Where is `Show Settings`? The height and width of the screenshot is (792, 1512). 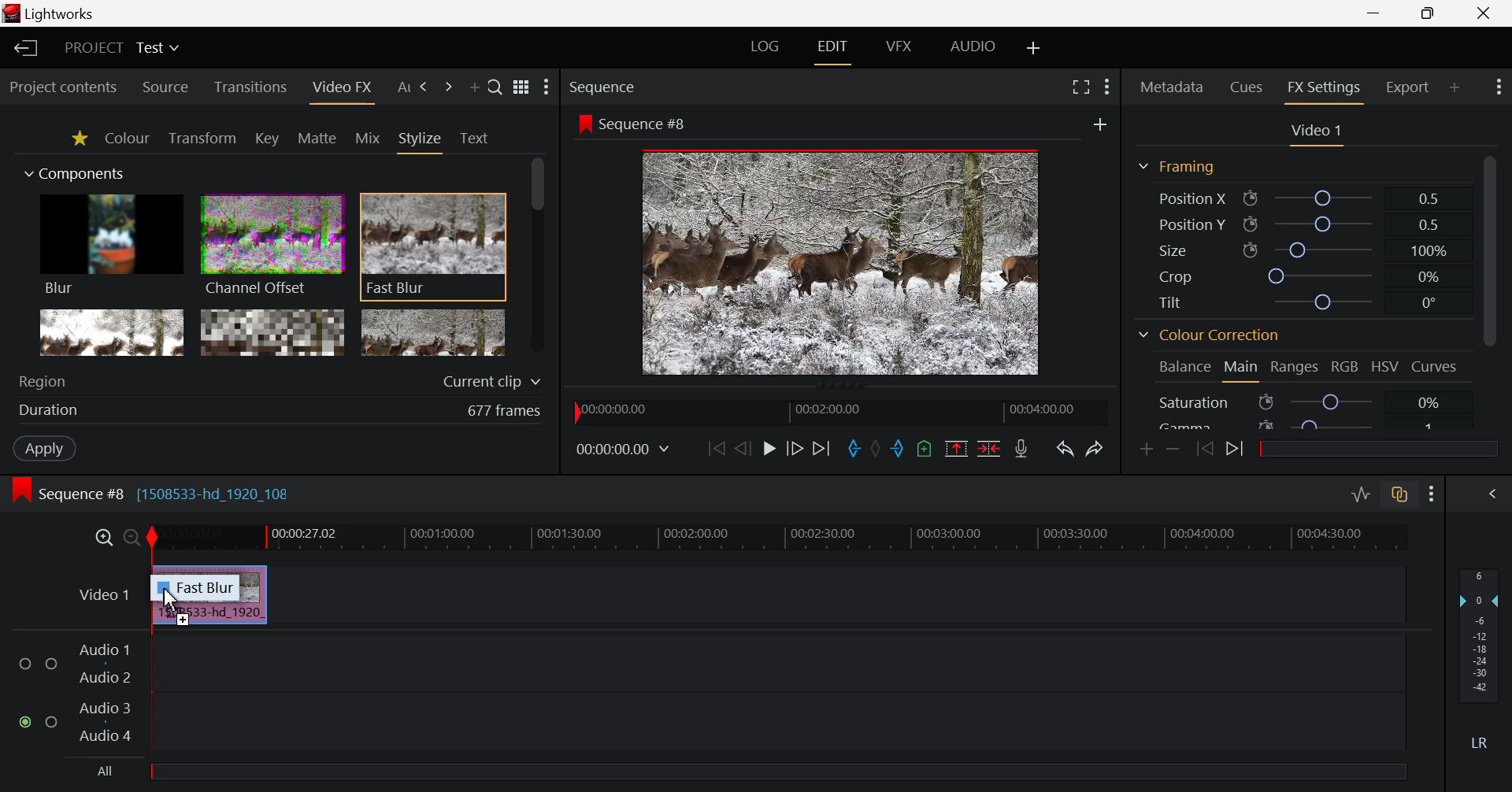 Show Settings is located at coordinates (1499, 87).